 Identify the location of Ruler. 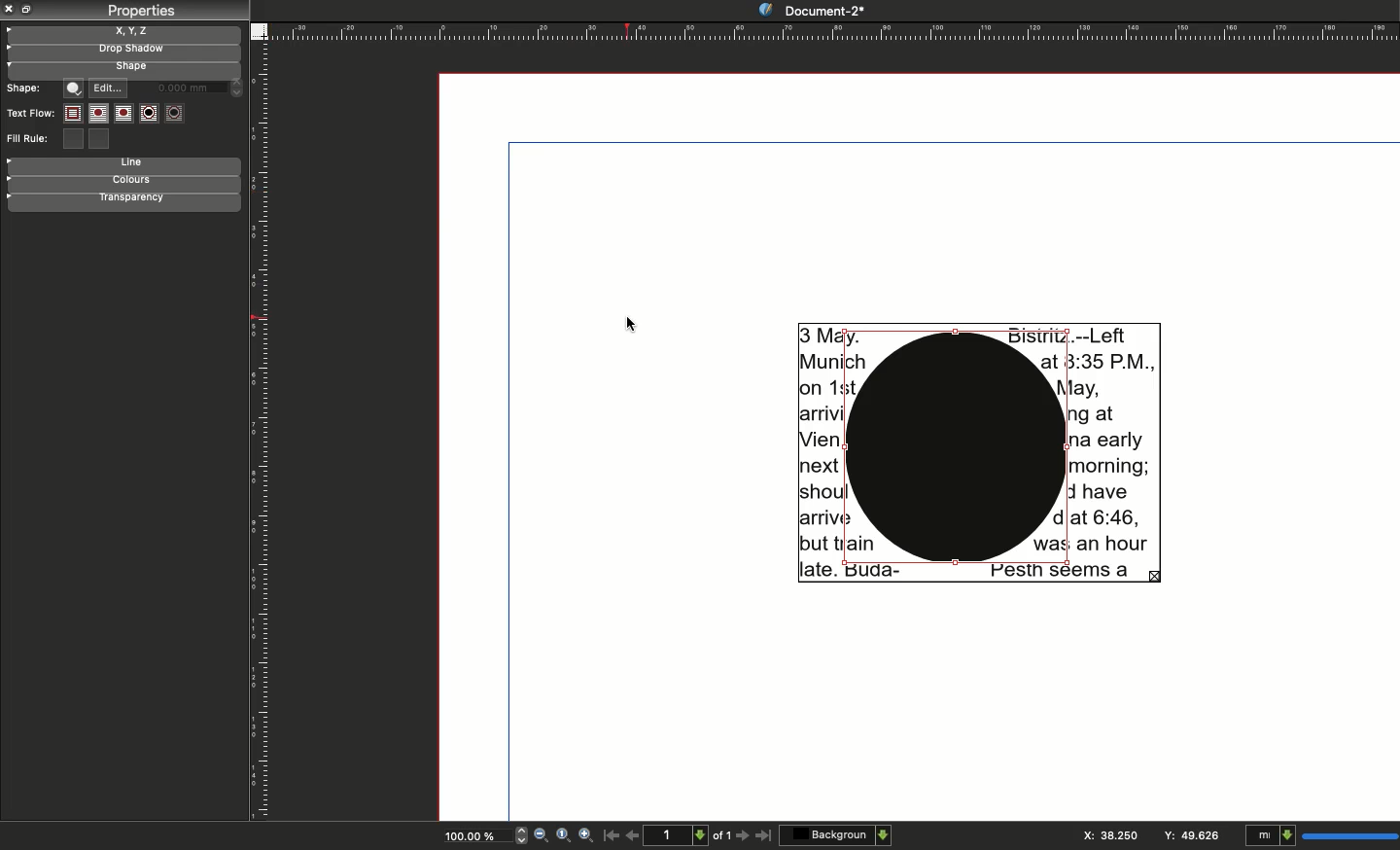
(836, 30).